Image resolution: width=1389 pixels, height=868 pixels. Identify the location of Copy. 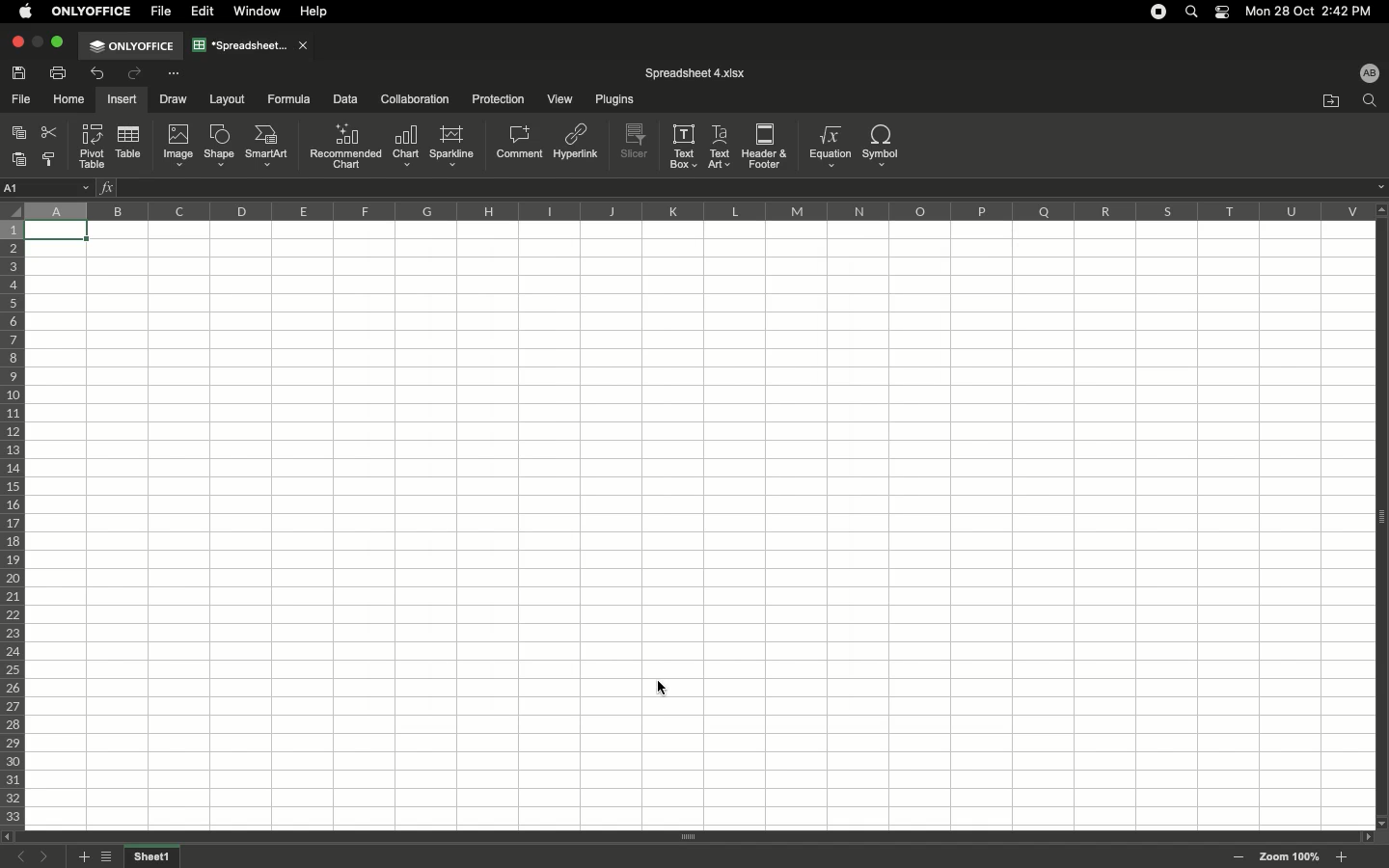
(21, 134).